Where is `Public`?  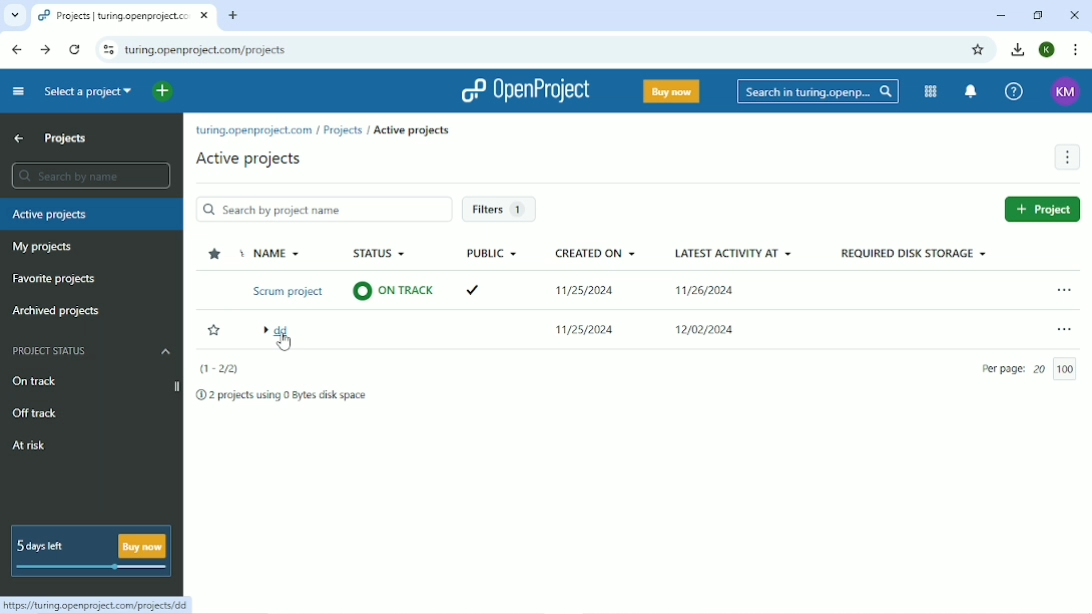
Public is located at coordinates (495, 275).